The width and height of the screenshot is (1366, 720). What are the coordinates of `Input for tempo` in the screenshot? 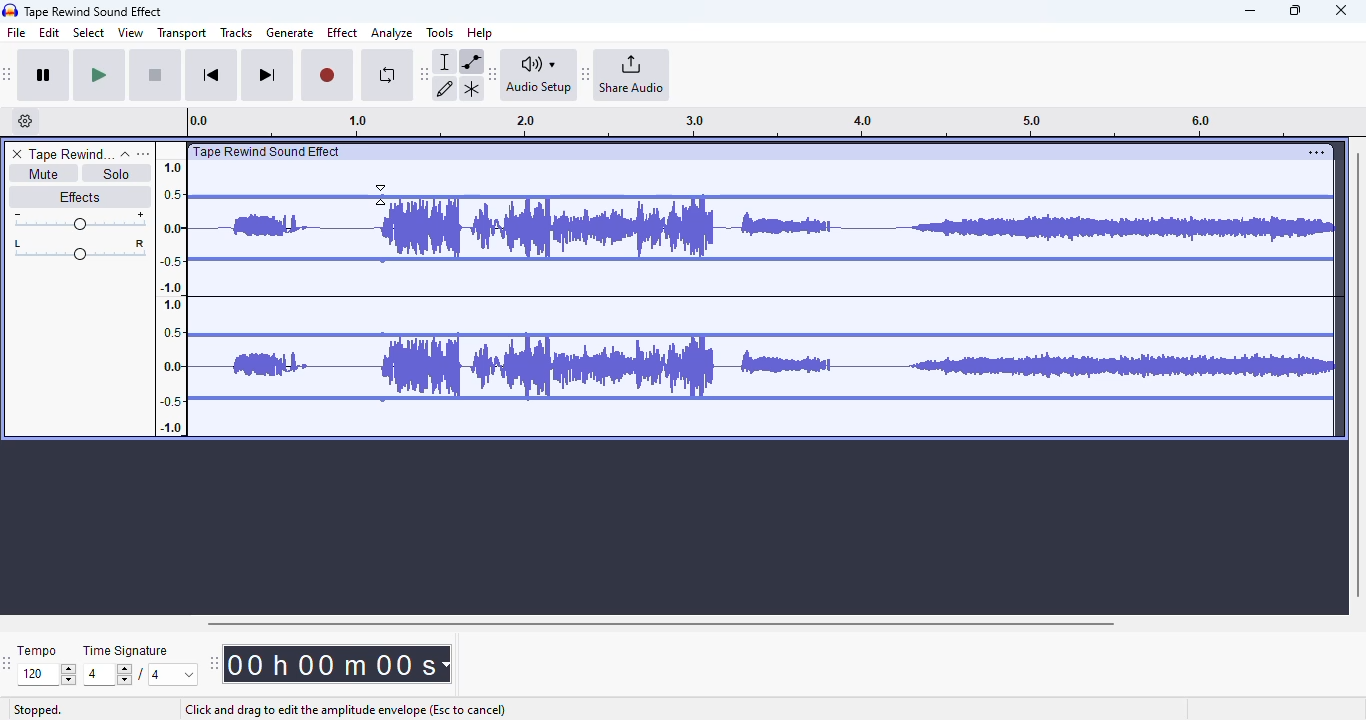 It's located at (46, 675).